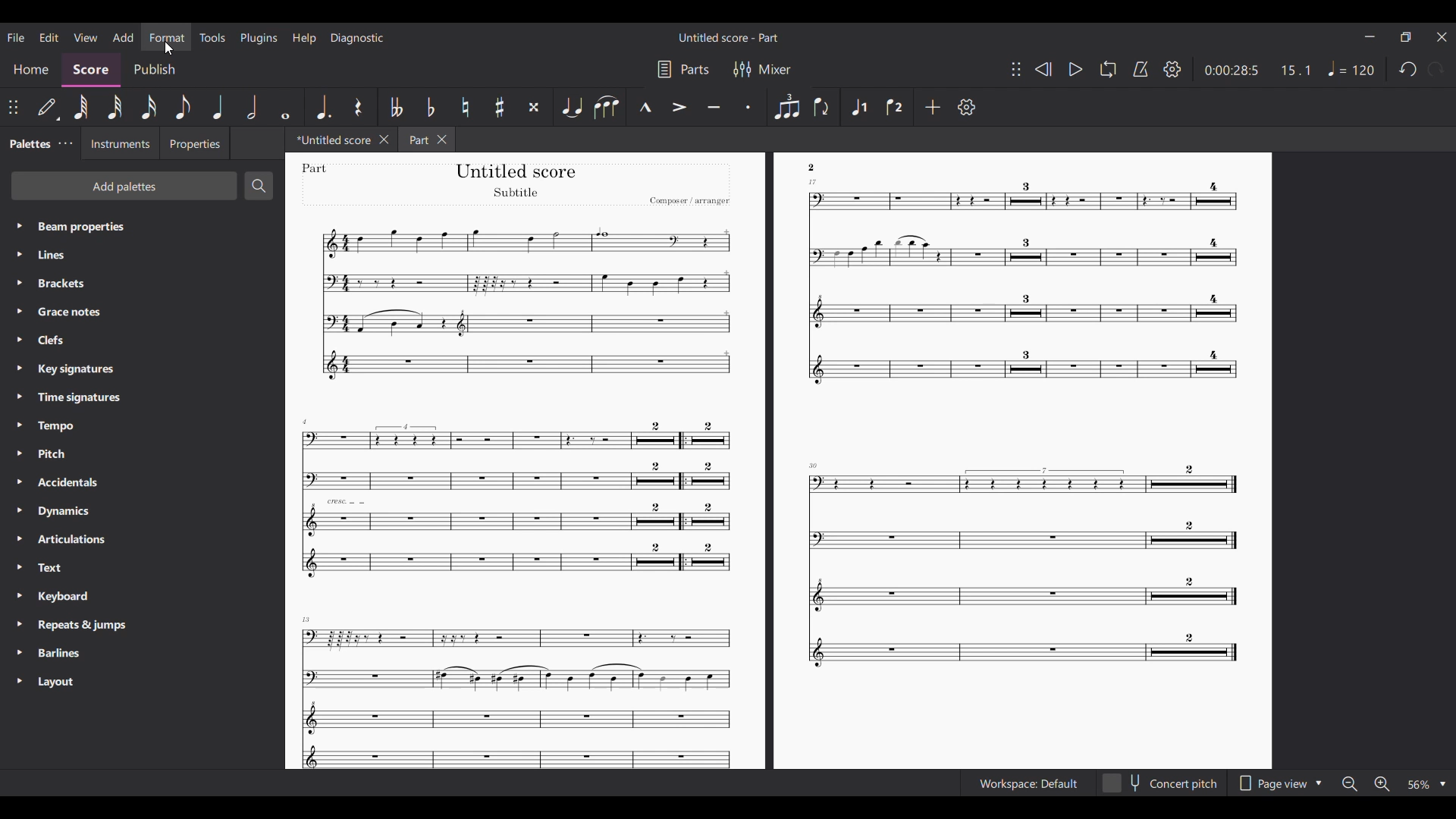 Image resolution: width=1456 pixels, height=819 pixels. I want to click on Zoom out, so click(1350, 784).